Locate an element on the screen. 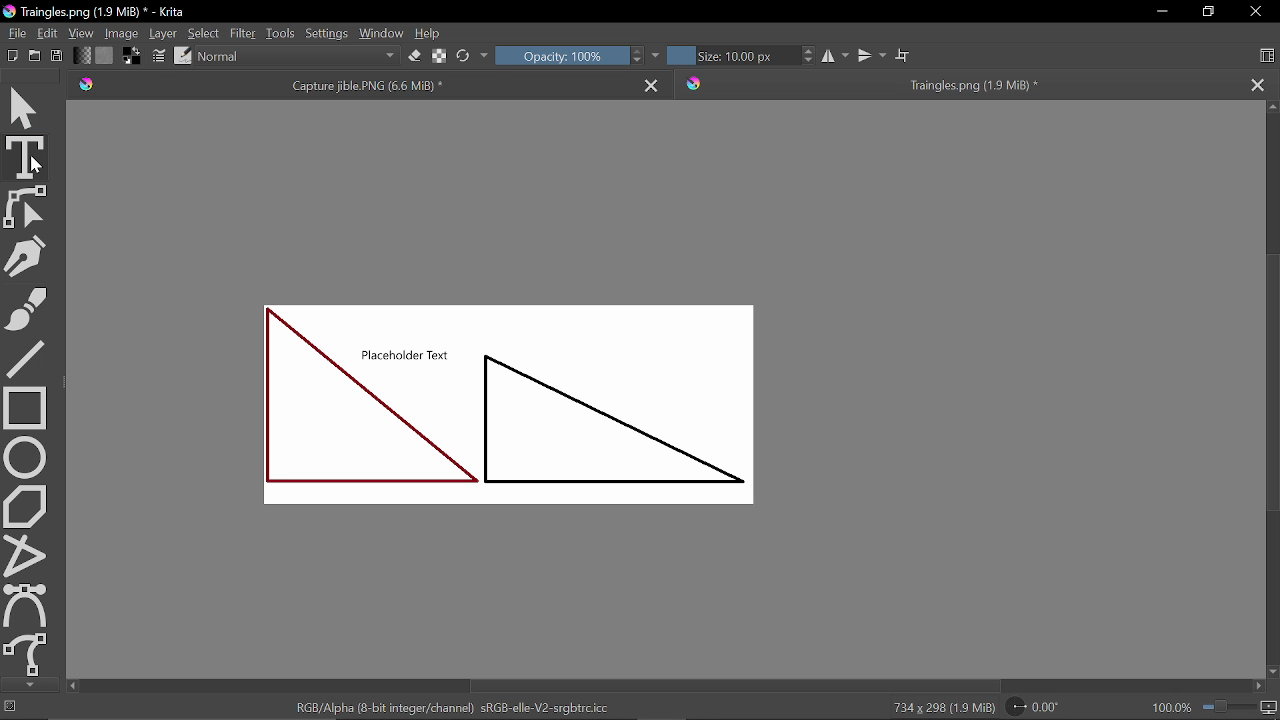 Image resolution: width=1280 pixels, height=720 pixels. Freehand path tool is located at coordinates (28, 653).